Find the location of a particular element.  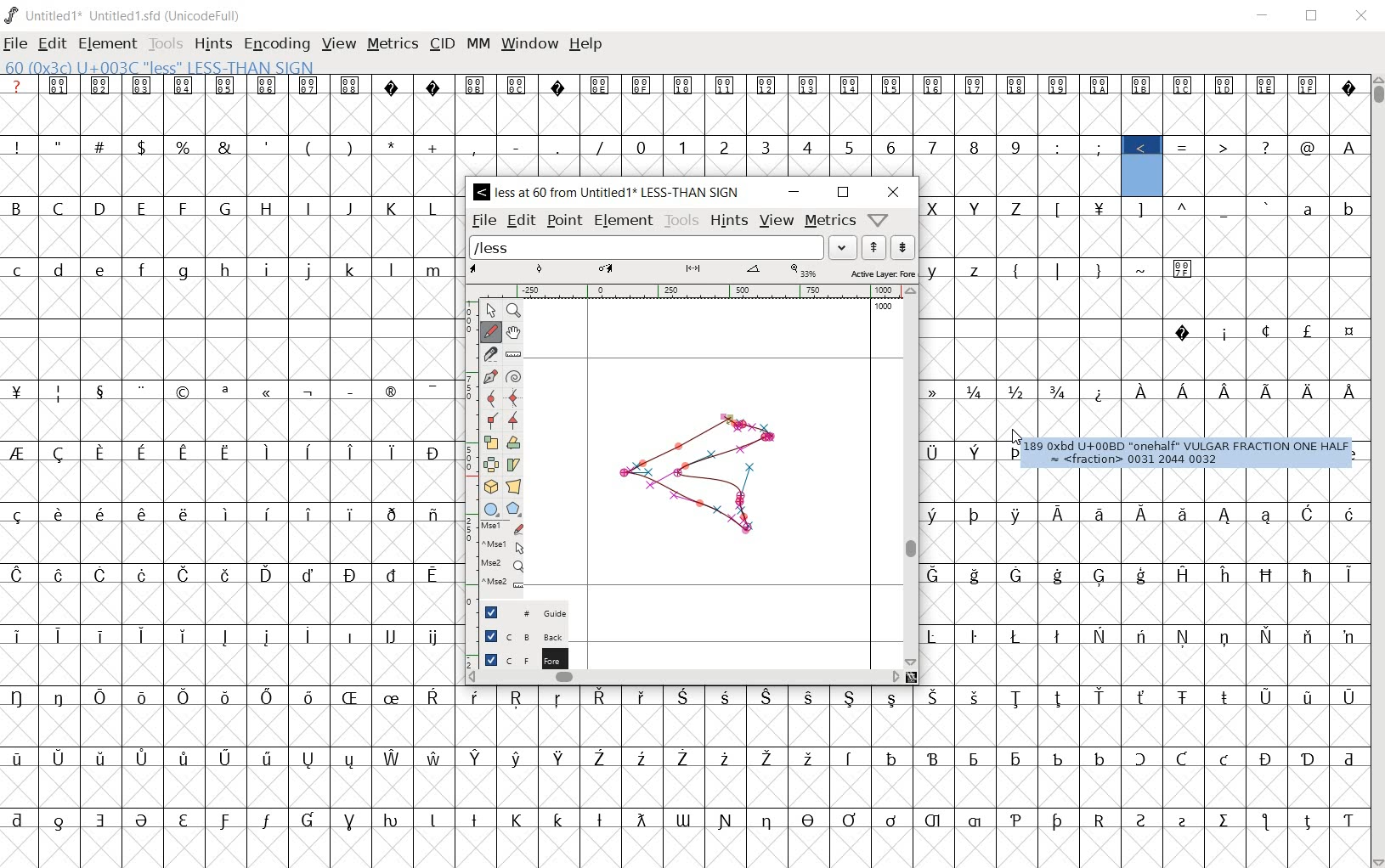

edit is located at coordinates (519, 221).